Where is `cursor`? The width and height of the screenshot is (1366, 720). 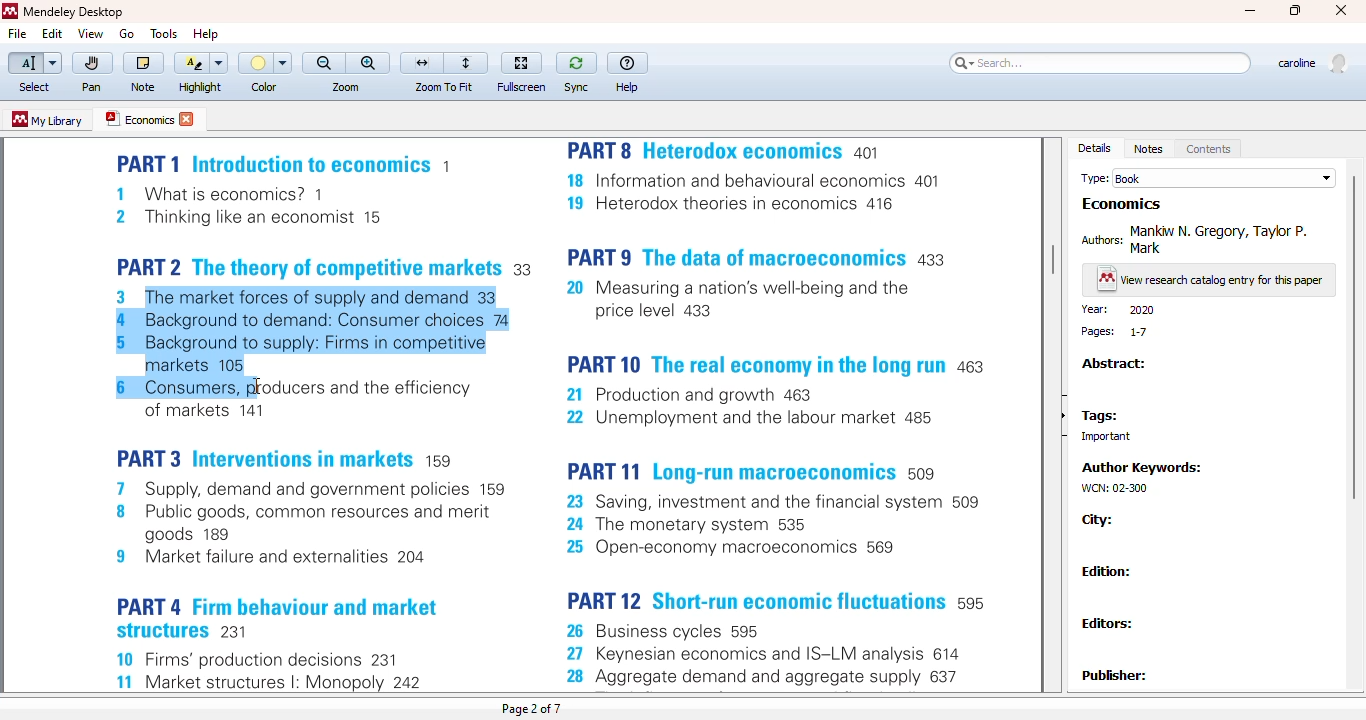
cursor is located at coordinates (258, 391).